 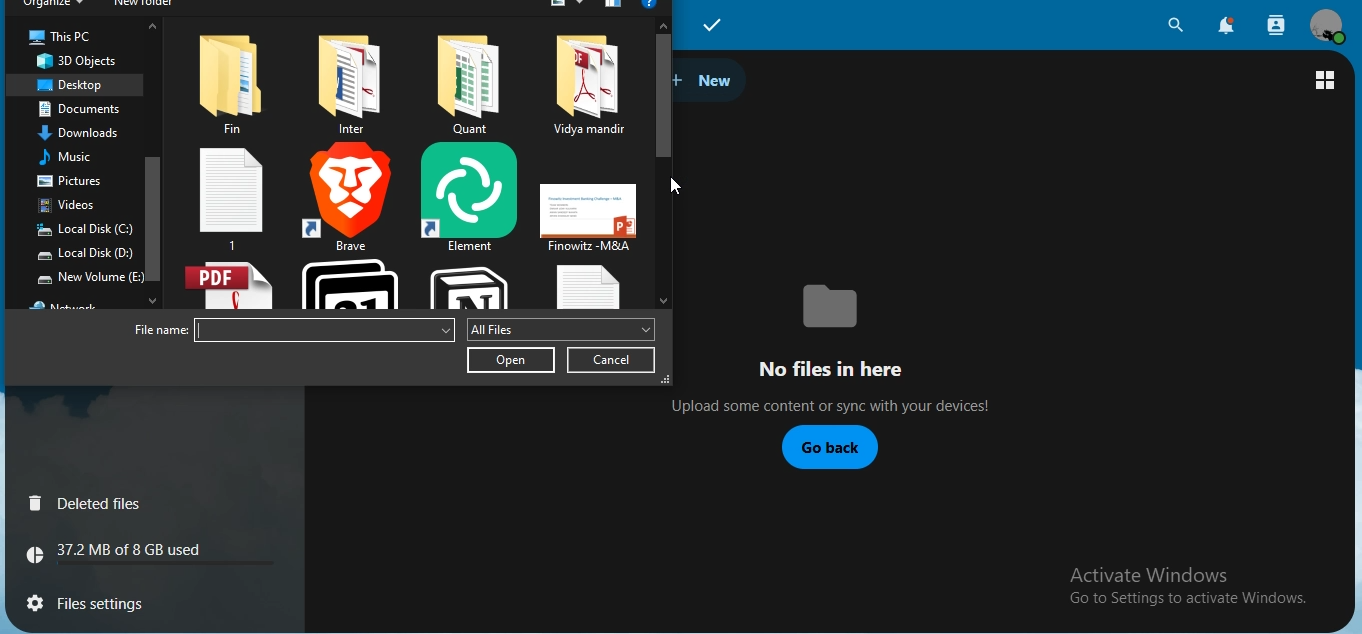 What do you see at coordinates (559, 329) in the screenshot?
I see `all files` at bounding box center [559, 329].